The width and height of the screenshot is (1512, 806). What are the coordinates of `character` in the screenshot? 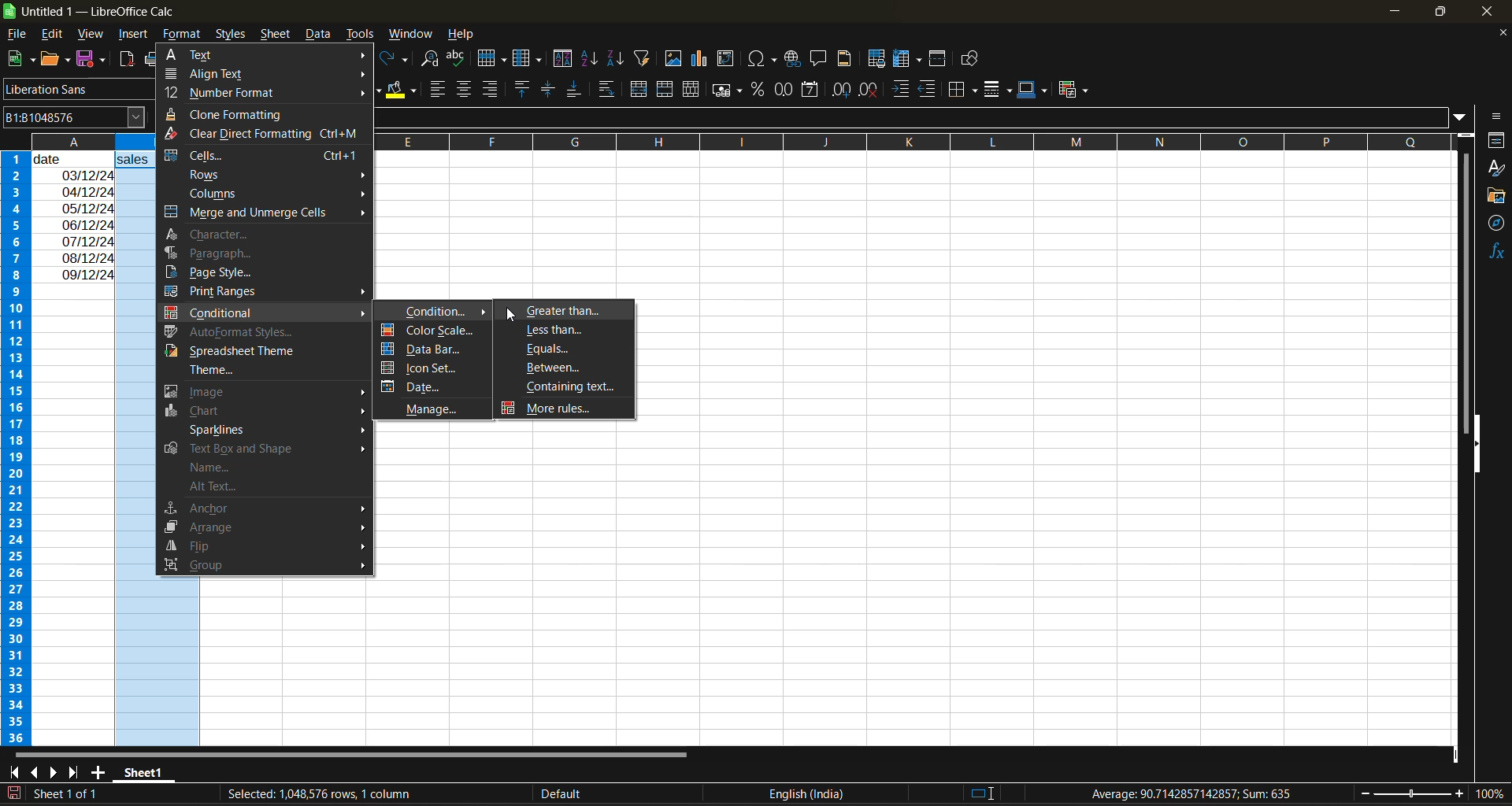 It's located at (218, 236).